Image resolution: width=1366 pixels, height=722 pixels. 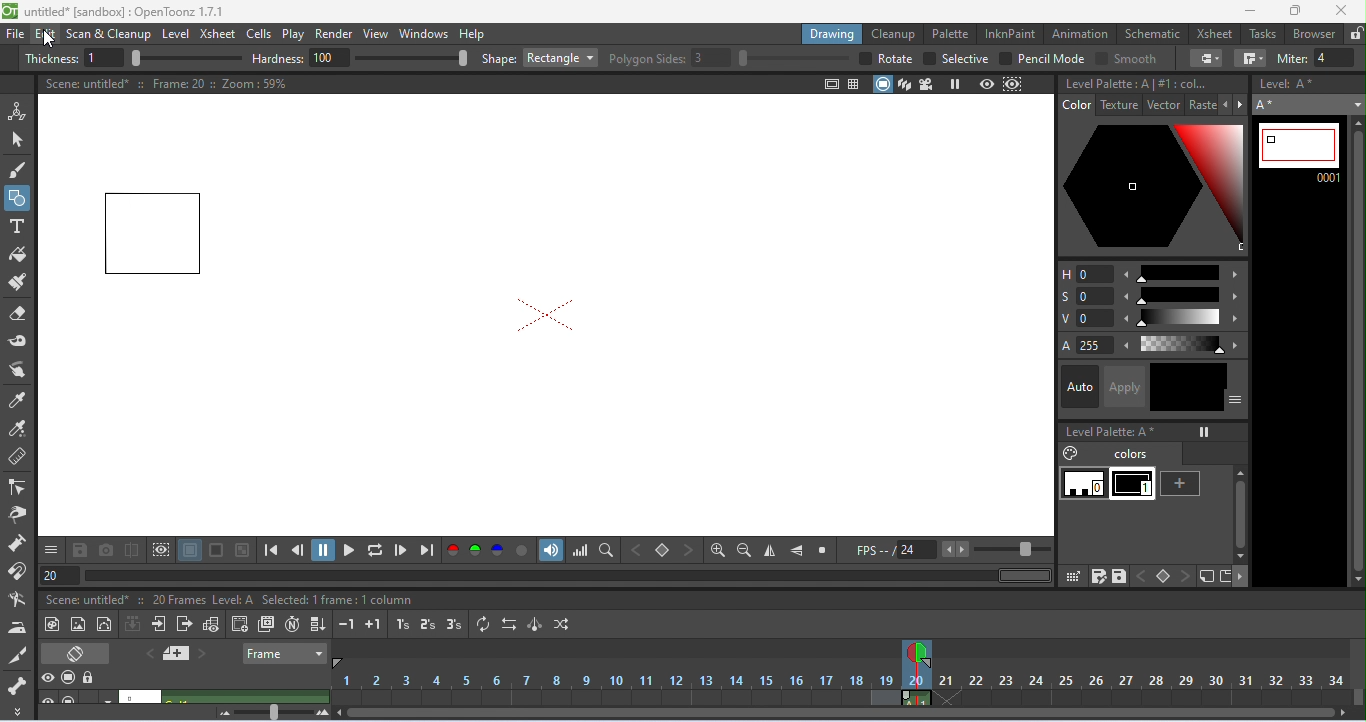 I want to click on brush, so click(x=17, y=169).